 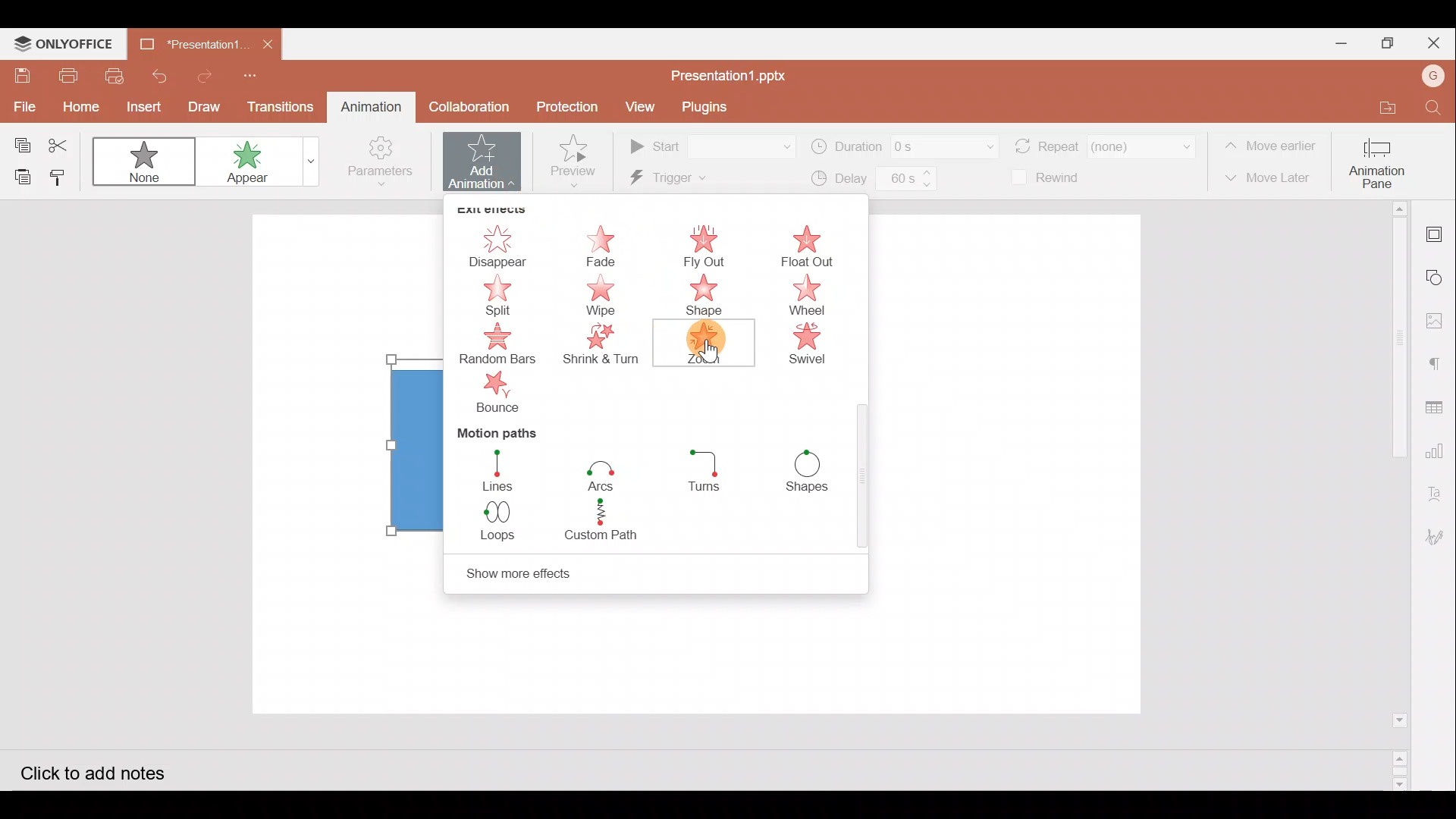 I want to click on Close document, so click(x=268, y=42).